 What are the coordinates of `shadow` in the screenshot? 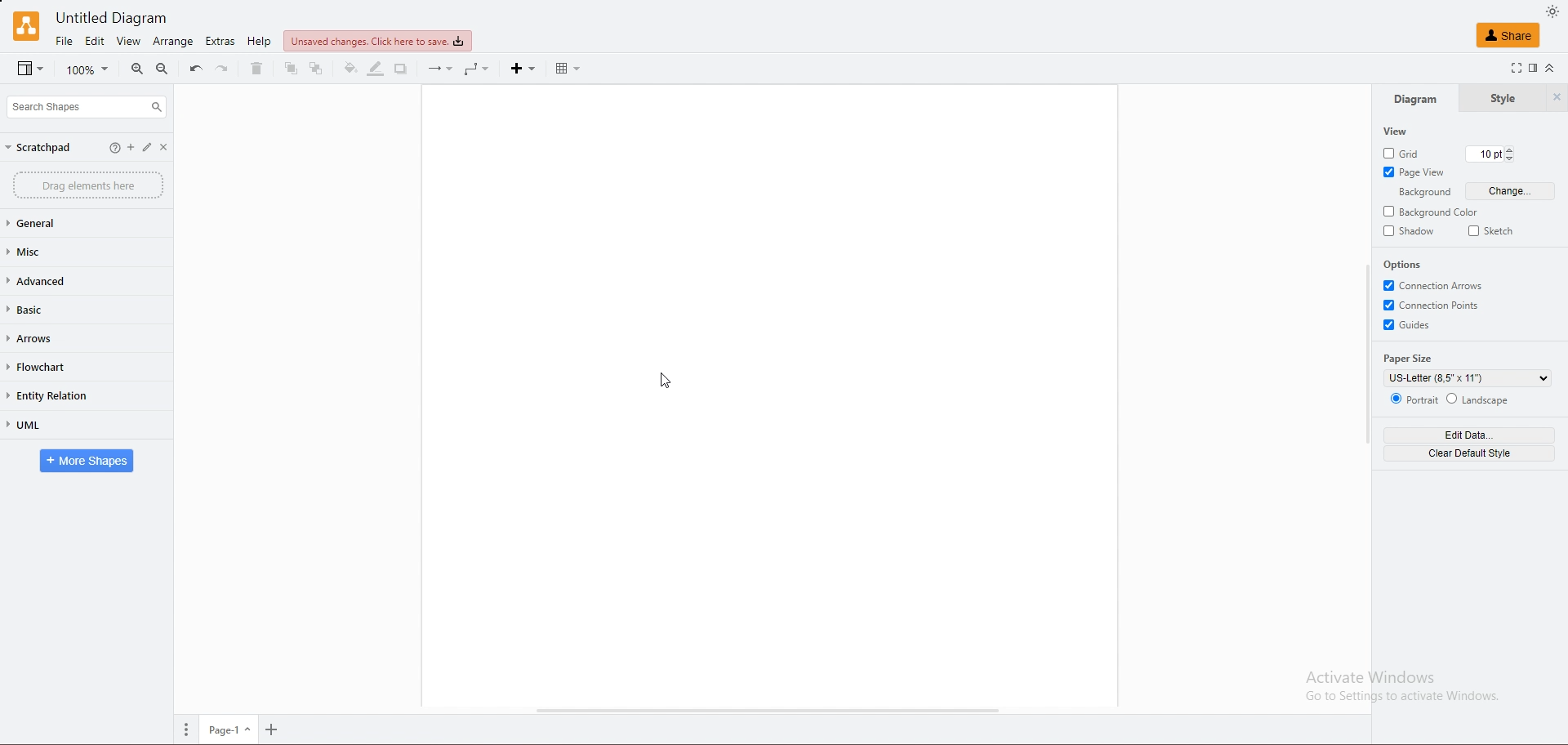 It's located at (402, 69).